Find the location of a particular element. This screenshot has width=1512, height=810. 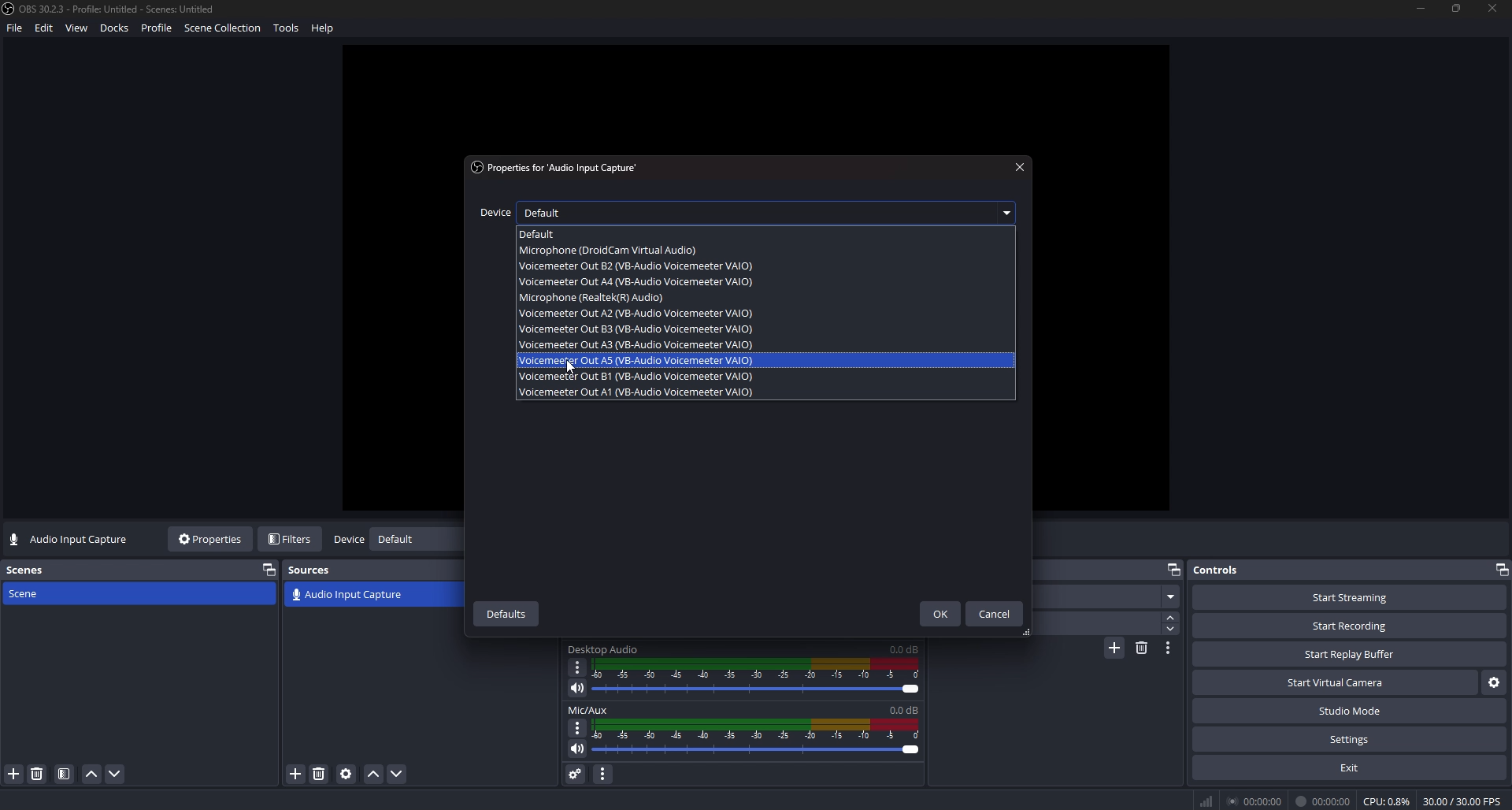

device is located at coordinates (494, 213).